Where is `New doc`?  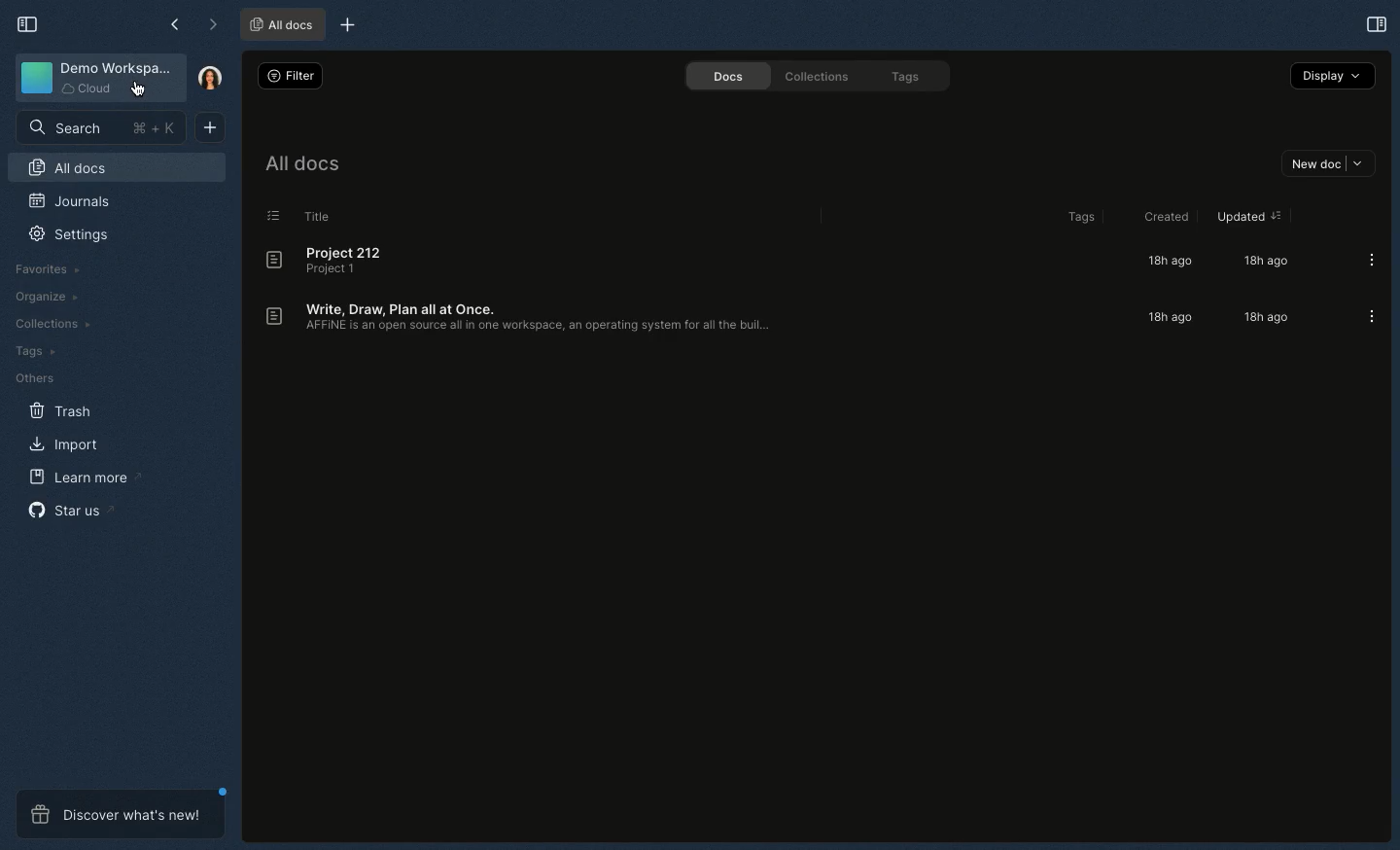 New doc is located at coordinates (1327, 164).